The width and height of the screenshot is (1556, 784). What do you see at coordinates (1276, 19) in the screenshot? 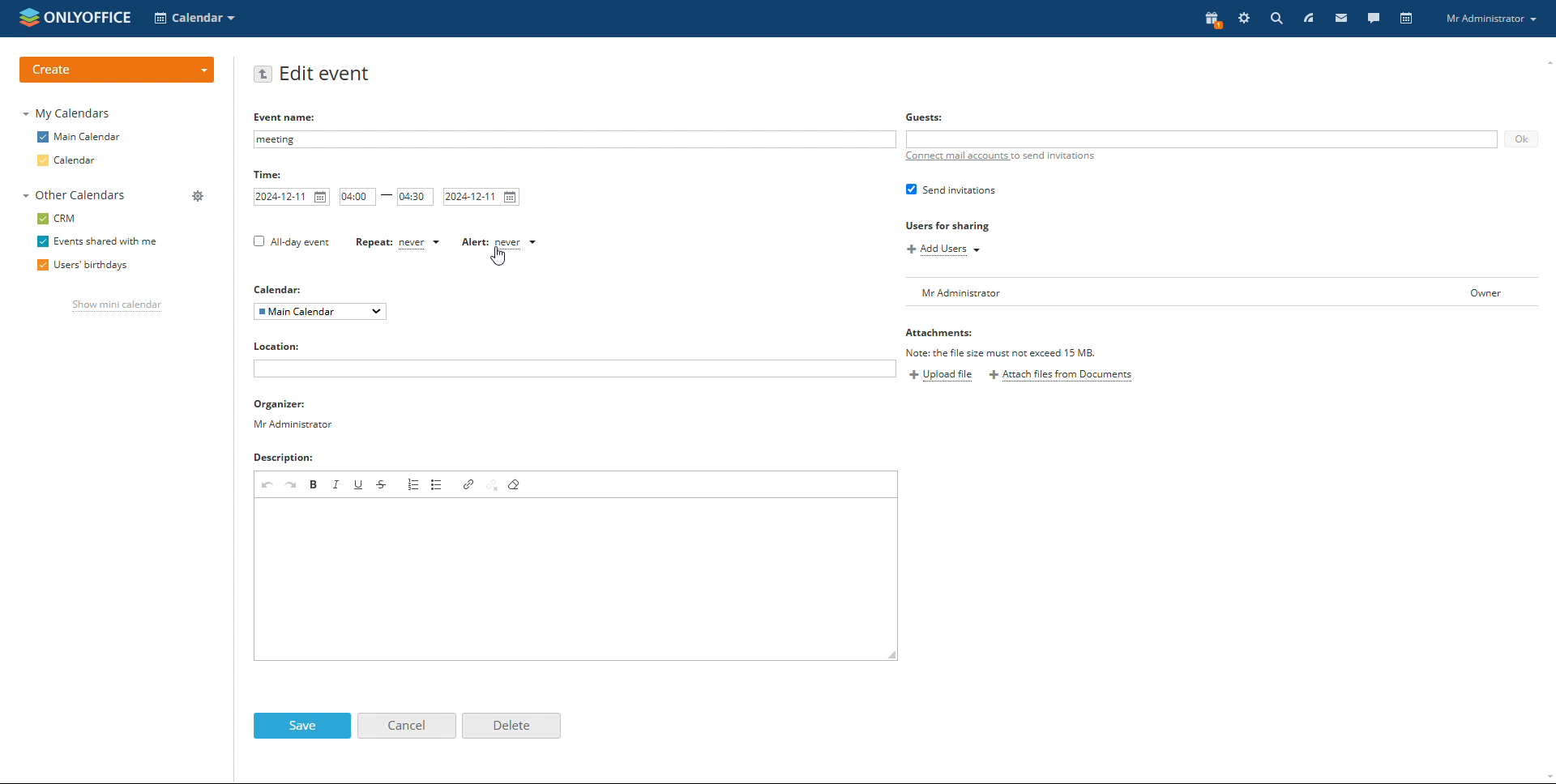
I see `search` at bounding box center [1276, 19].